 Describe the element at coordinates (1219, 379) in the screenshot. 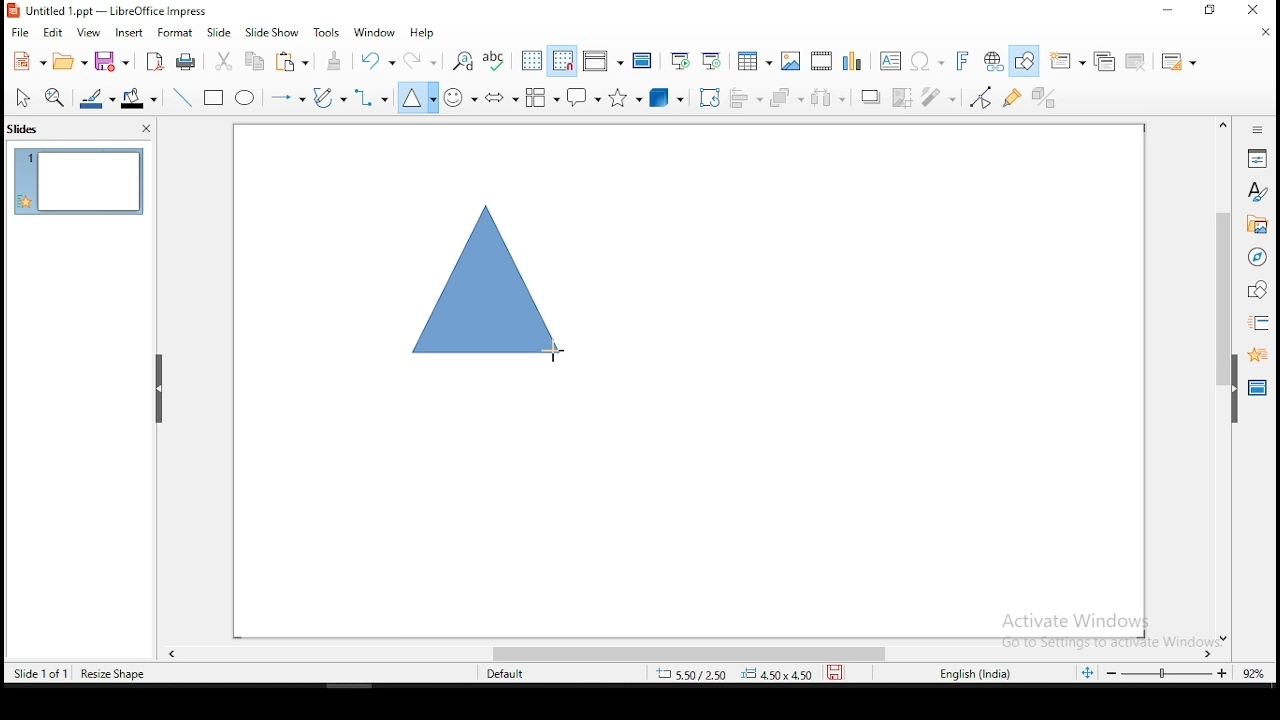

I see `scroll bar` at that location.